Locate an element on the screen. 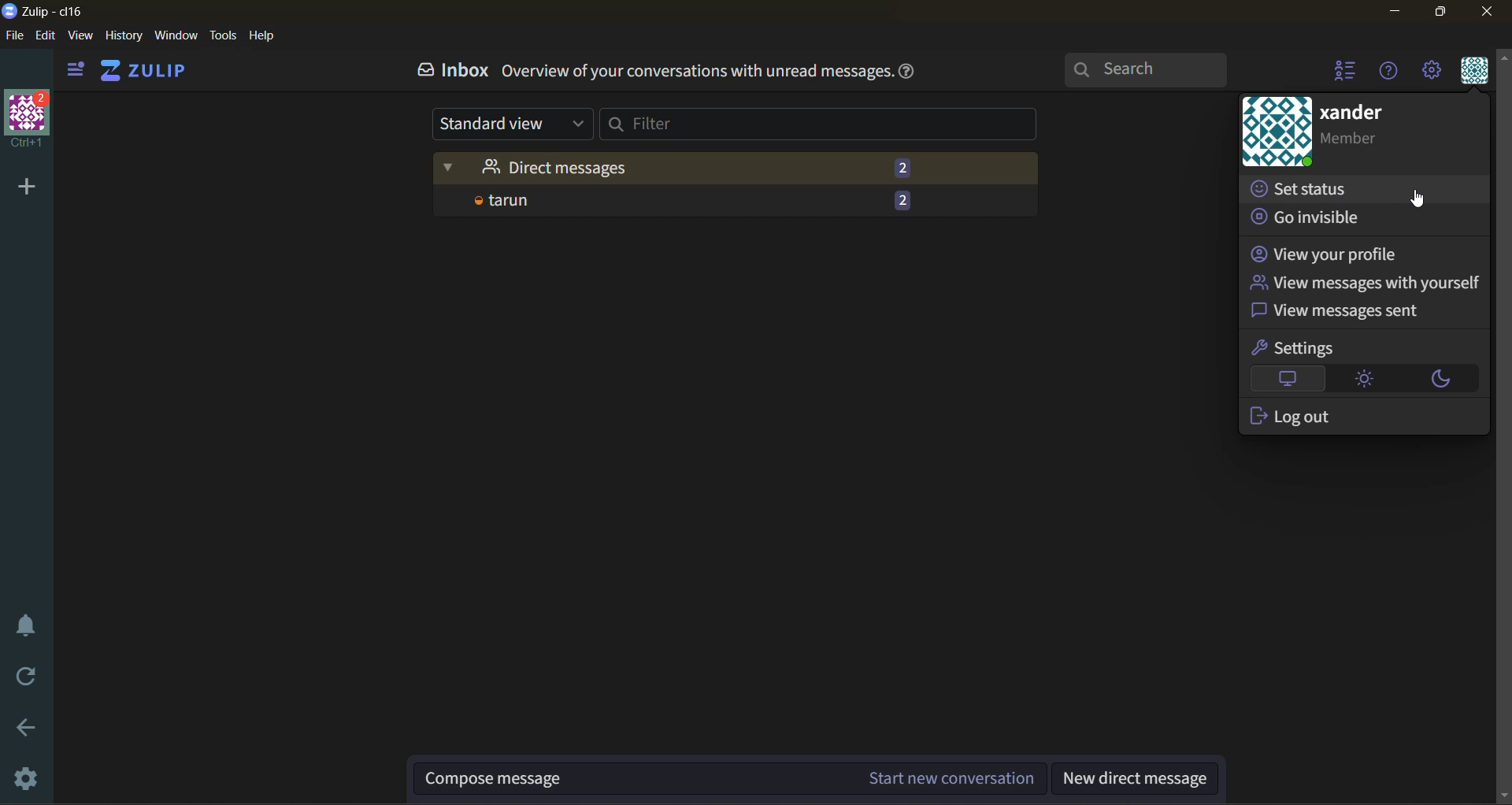 Image resolution: width=1512 pixels, height=805 pixels. settings is located at coordinates (25, 779).